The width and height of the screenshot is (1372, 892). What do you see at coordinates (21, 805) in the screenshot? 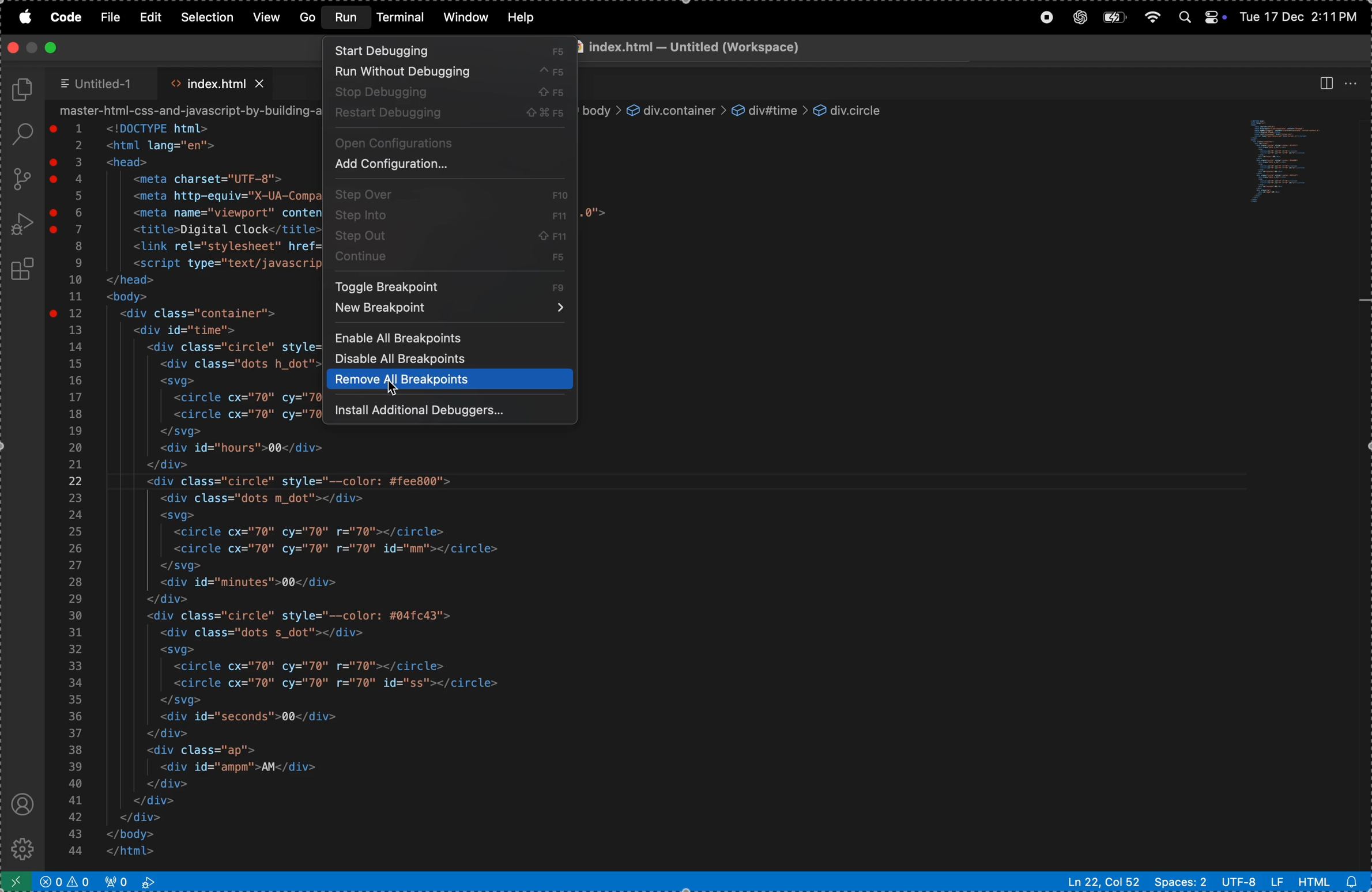
I see `profile` at bounding box center [21, 805].